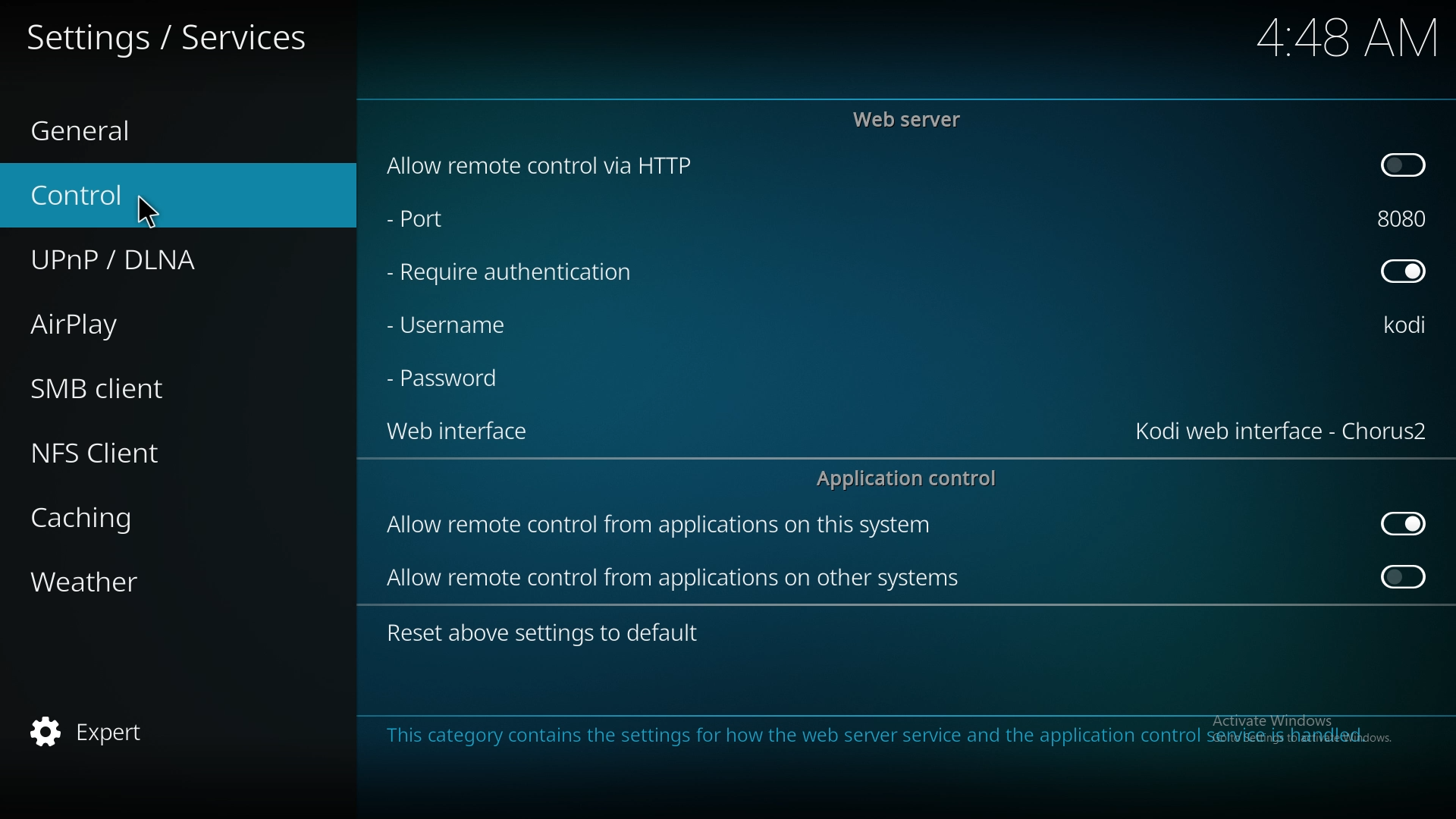 This screenshot has width=1456, height=819. I want to click on password, so click(453, 380).